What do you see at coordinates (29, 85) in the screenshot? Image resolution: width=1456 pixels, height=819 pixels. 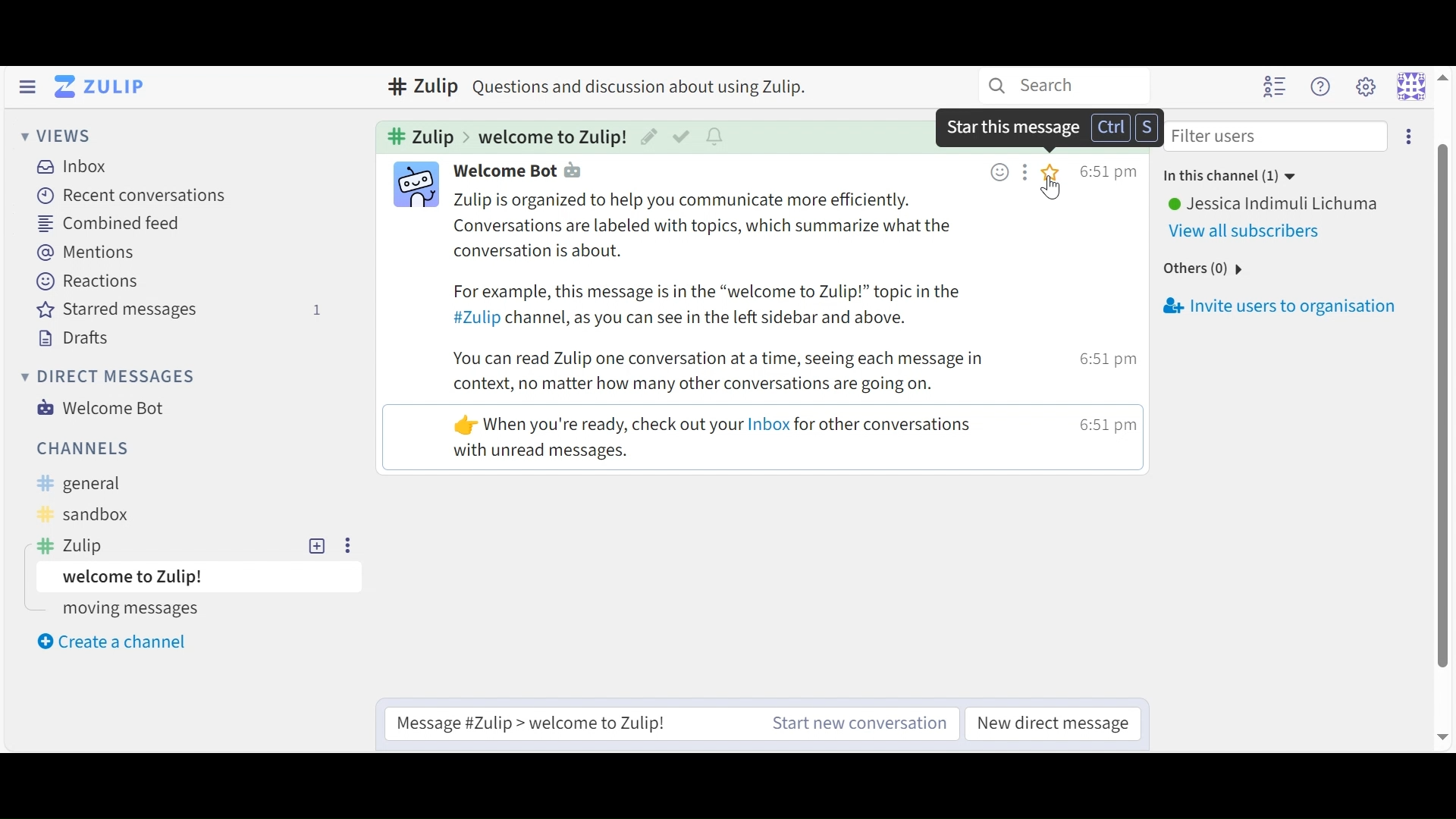 I see `Hide Sidebar` at bounding box center [29, 85].